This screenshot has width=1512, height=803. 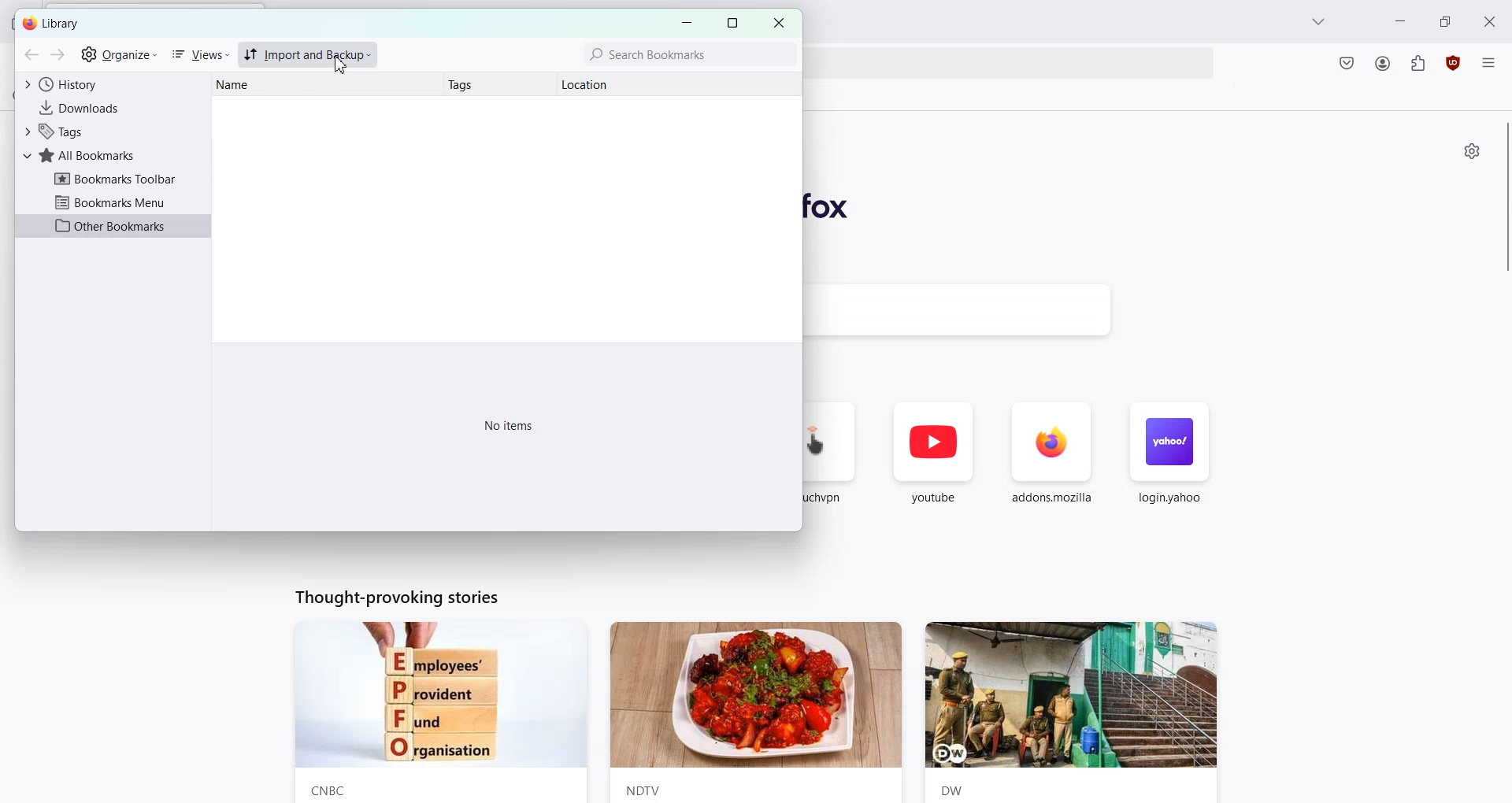 I want to click on History, so click(x=110, y=84).